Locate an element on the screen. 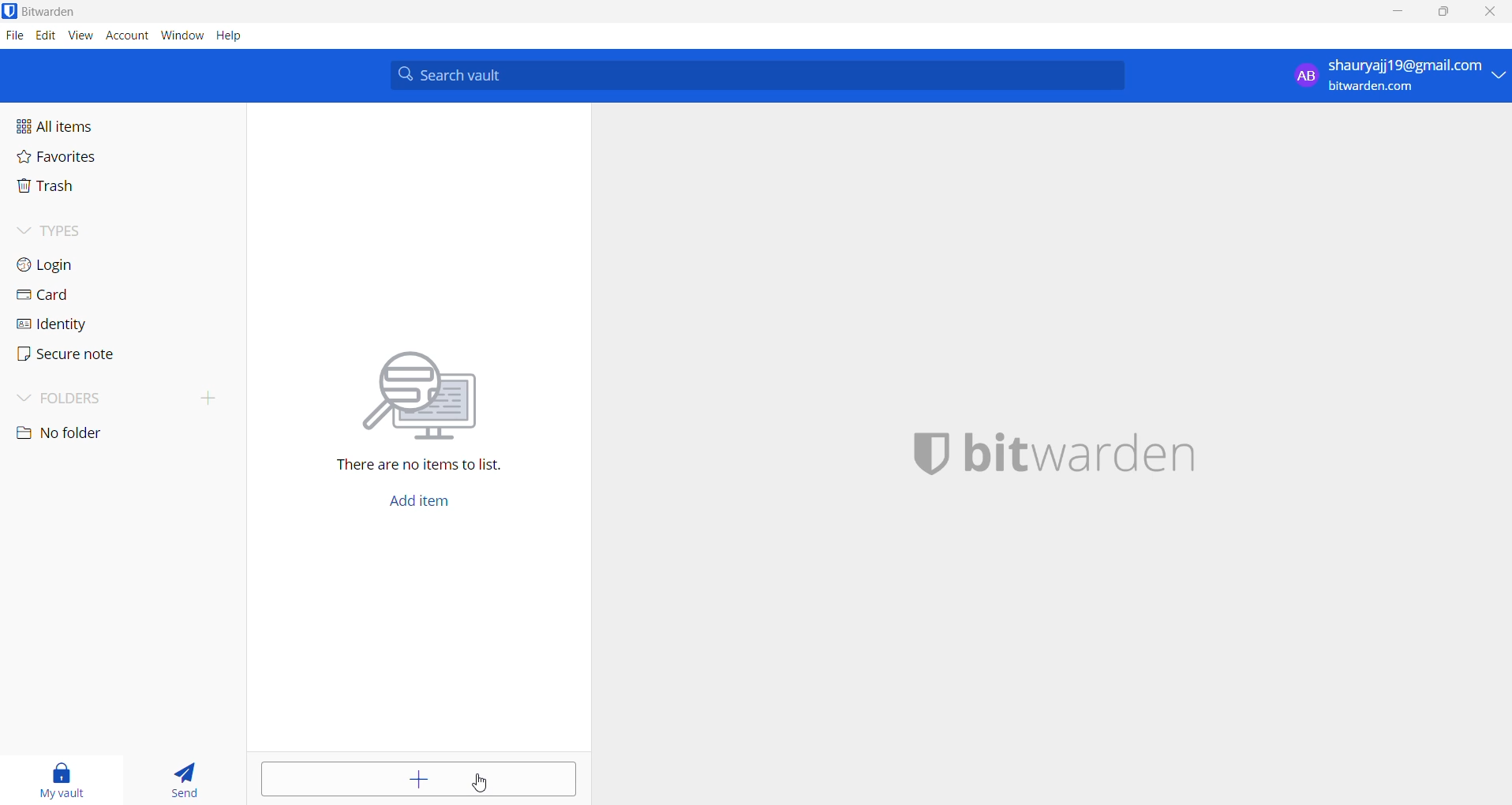  trash is located at coordinates (92, 188).